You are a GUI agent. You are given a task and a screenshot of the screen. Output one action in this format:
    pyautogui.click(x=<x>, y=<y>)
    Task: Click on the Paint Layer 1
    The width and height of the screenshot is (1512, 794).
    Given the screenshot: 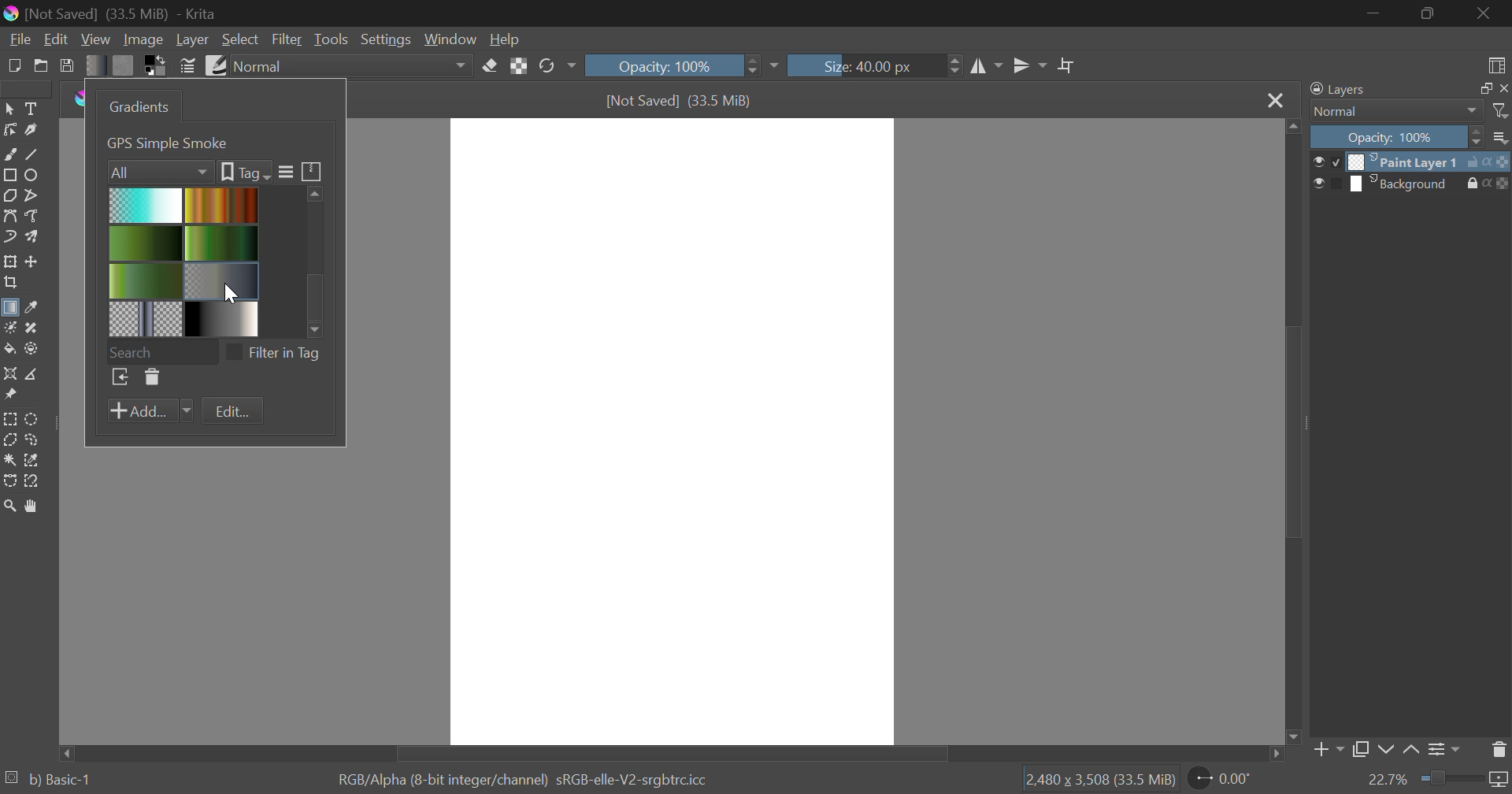 What is the action you would take?
    pyautogui.click(x=1406, y=161)
    